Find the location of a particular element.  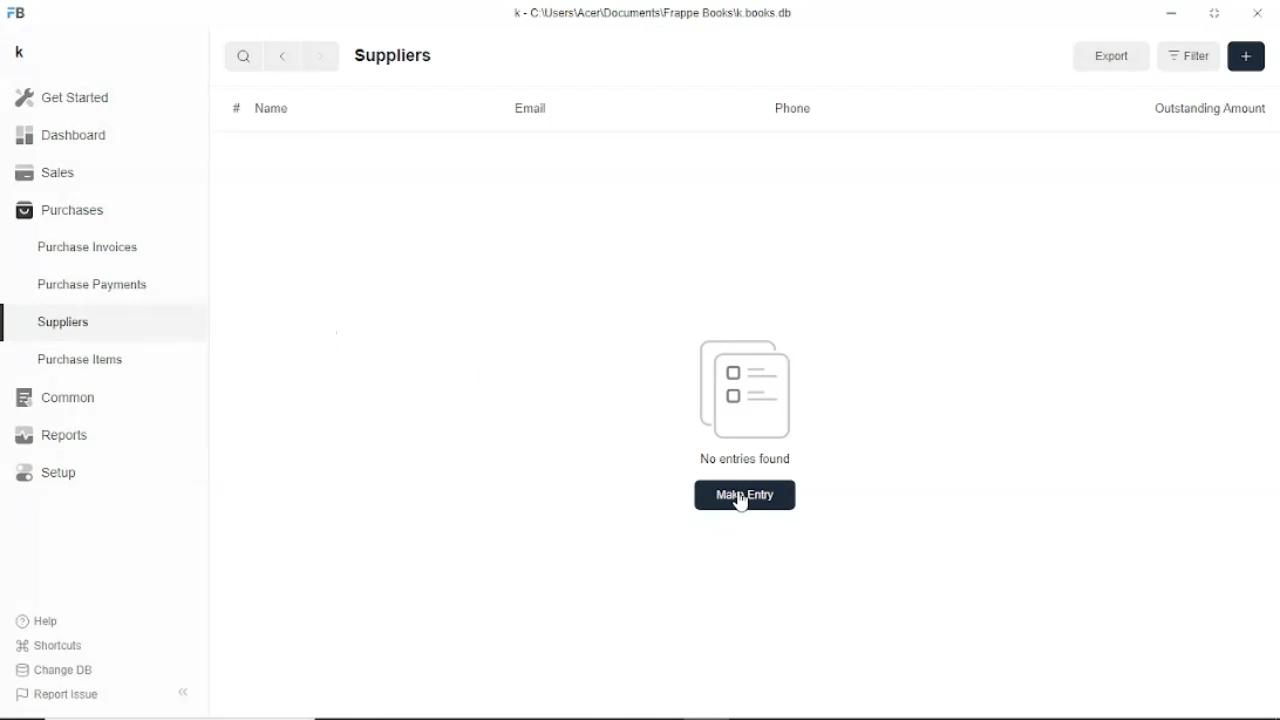

Suppliers is located at coordinates (64, 322).